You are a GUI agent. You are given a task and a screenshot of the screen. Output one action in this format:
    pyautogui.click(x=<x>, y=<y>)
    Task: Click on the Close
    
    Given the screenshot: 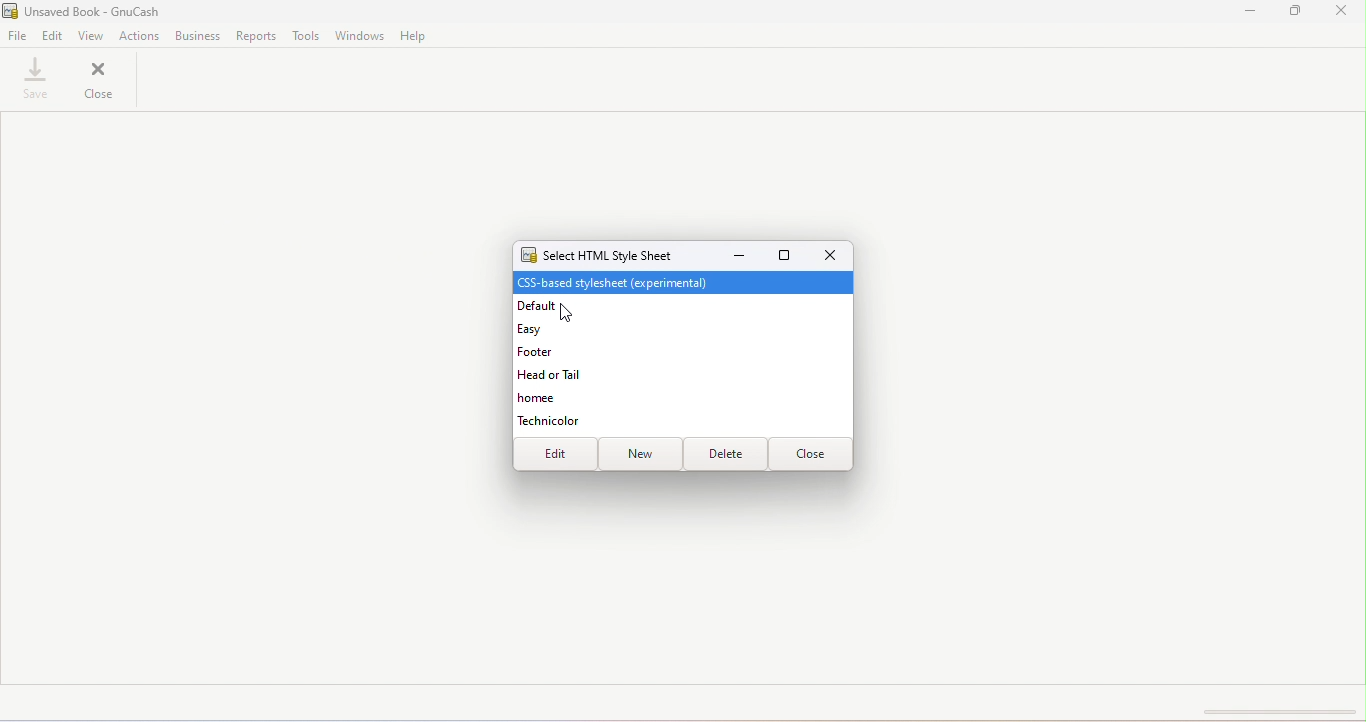 What is the action you would take?
    pyautogui.click(x=810, y=454)
    